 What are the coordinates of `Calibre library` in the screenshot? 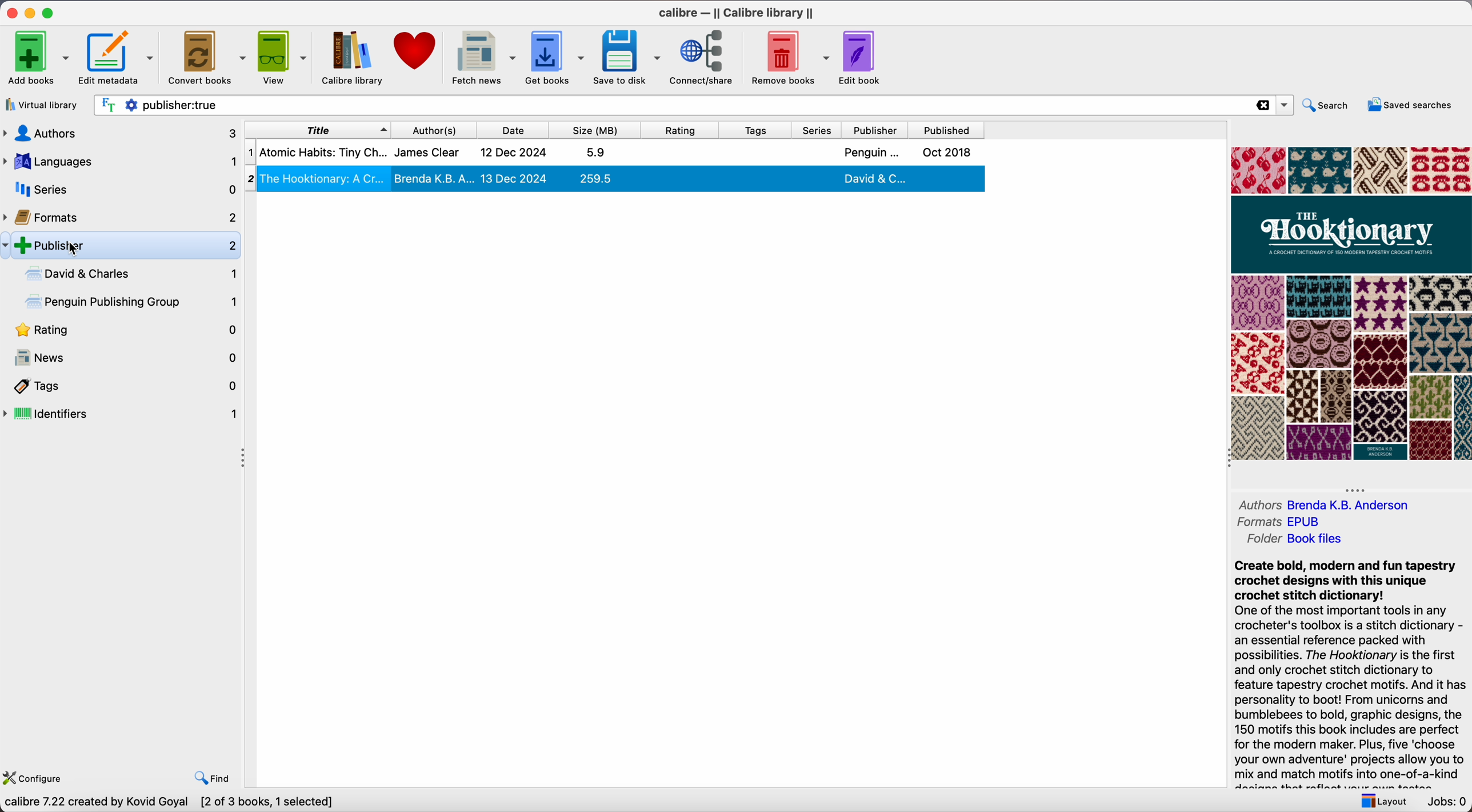 It's located at (353, 59).